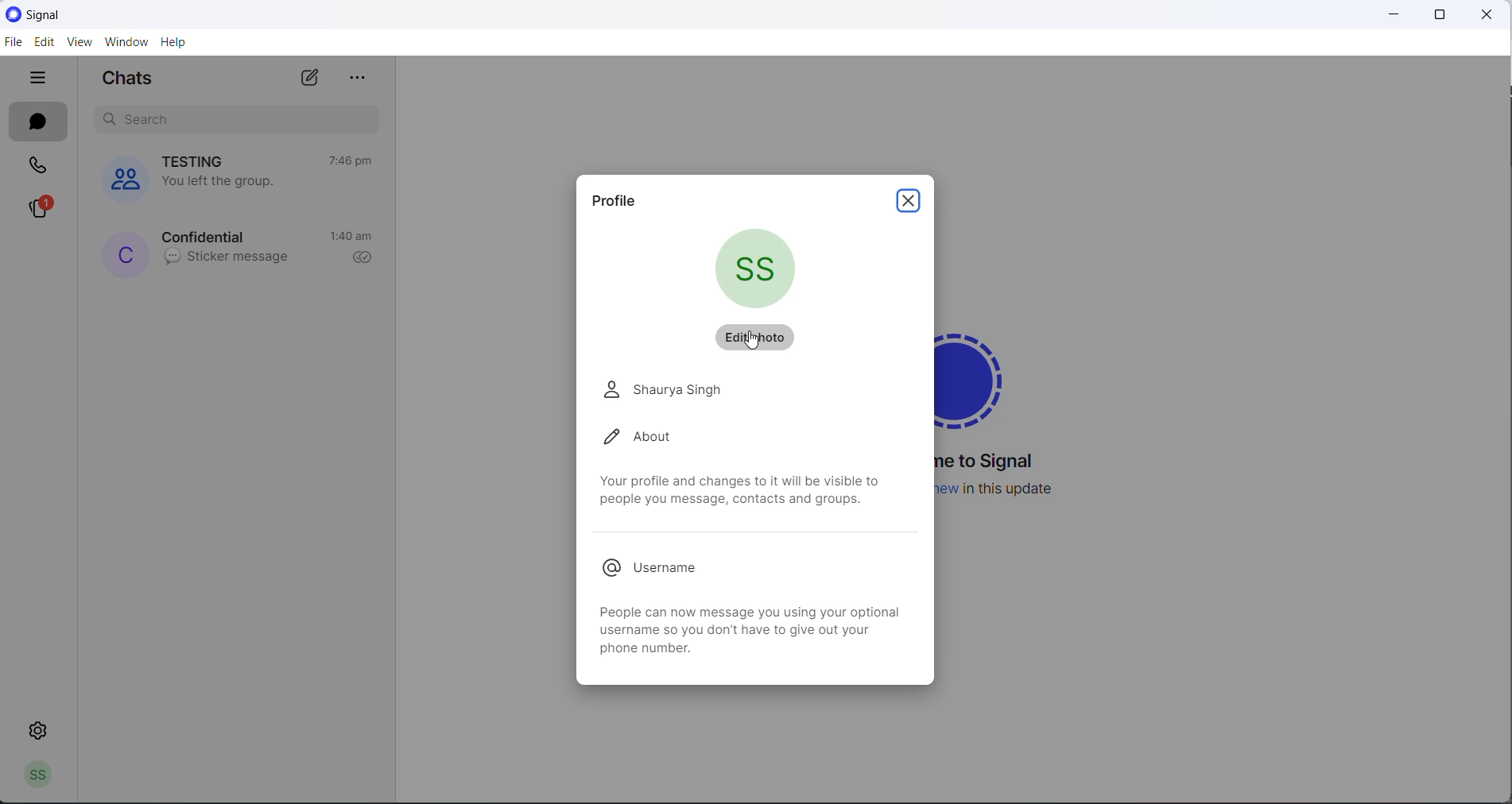 This screenshot has height=804, width=1512. What do you see at coordinates (1436, 15) in the screenshot?
I see `maximize` at bounding box center [1436, 15].